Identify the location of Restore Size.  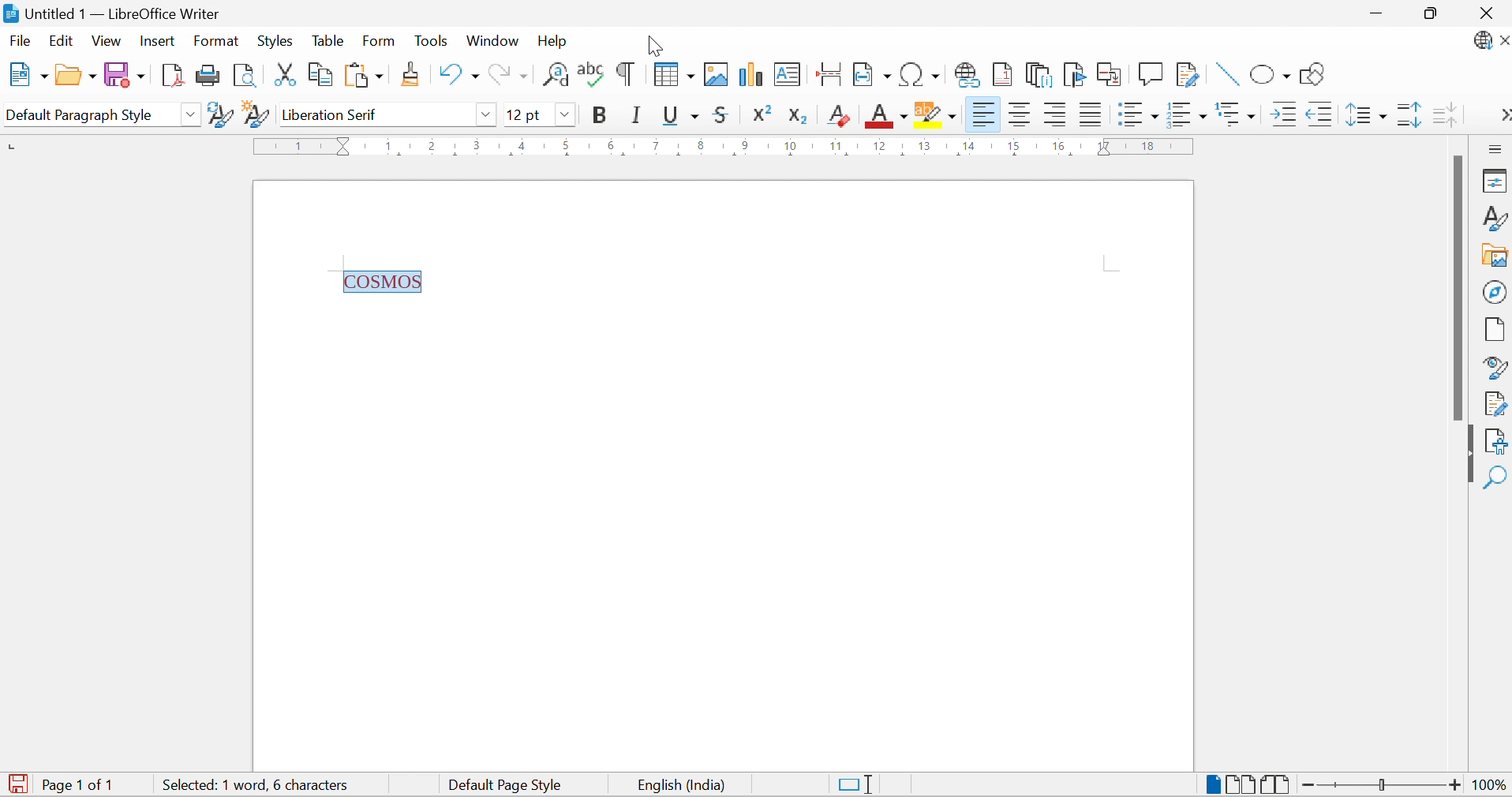
(1432, 17).